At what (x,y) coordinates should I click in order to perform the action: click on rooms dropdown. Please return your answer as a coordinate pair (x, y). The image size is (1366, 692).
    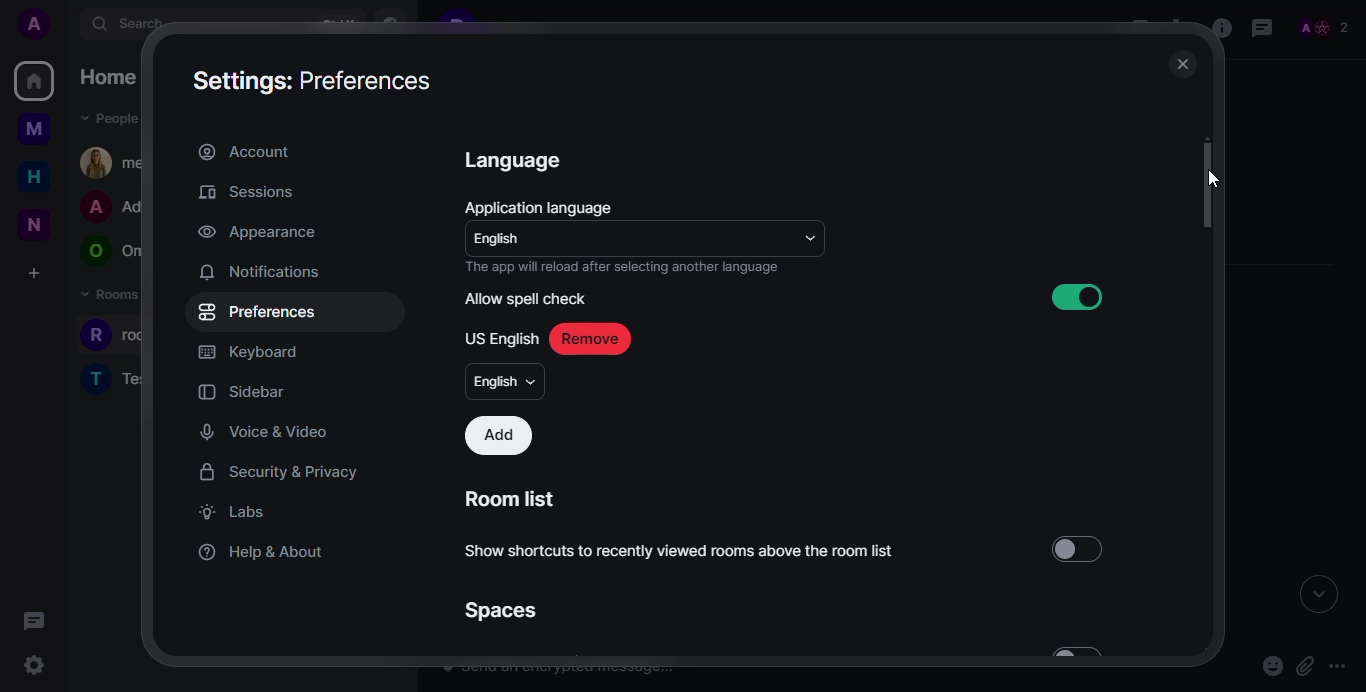
    Looking at the image, I should click on (126, 295).